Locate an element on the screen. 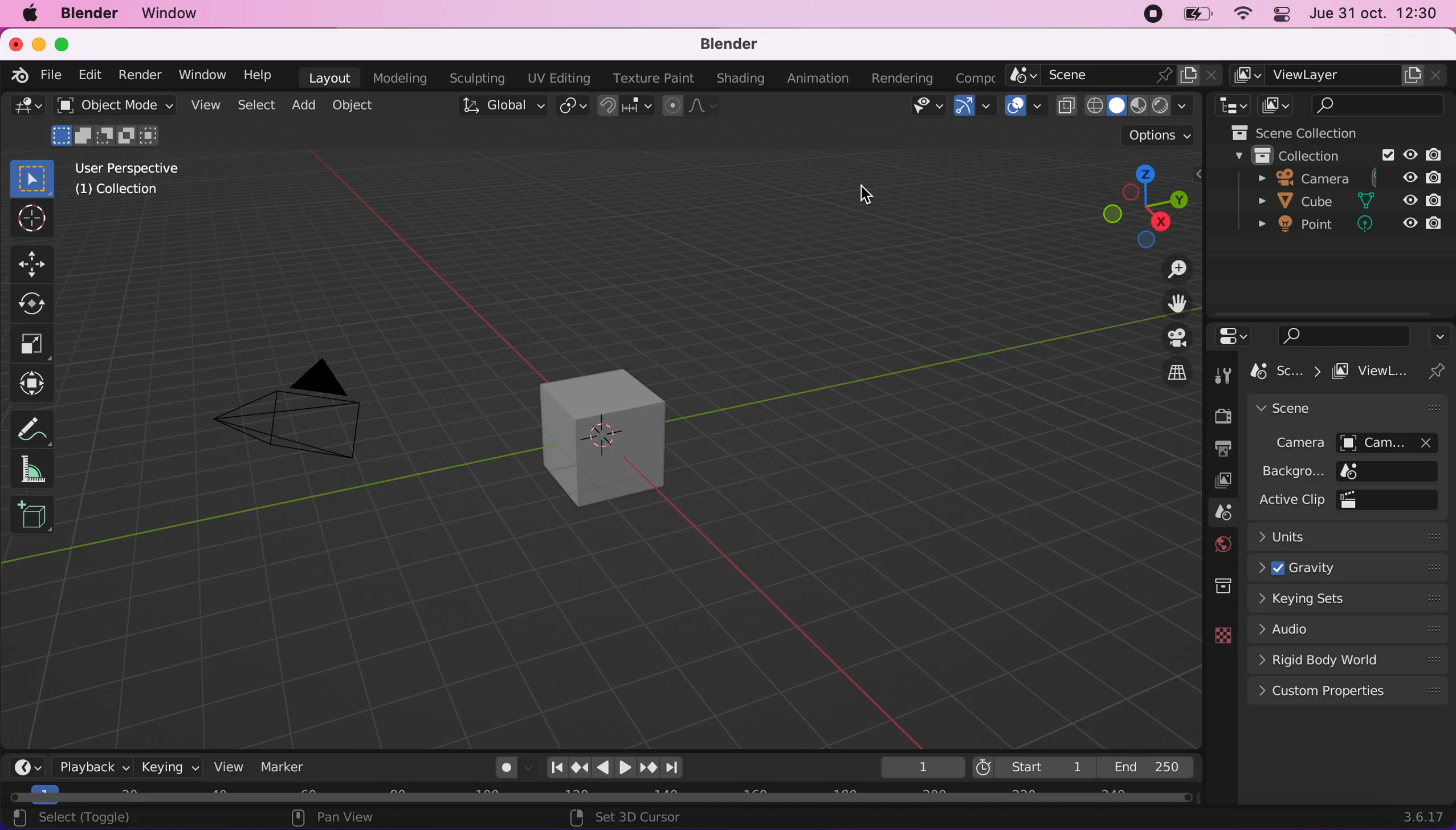 The width and height of the screenshot is (1456, 830). world is located at coordinates (1219, 545).